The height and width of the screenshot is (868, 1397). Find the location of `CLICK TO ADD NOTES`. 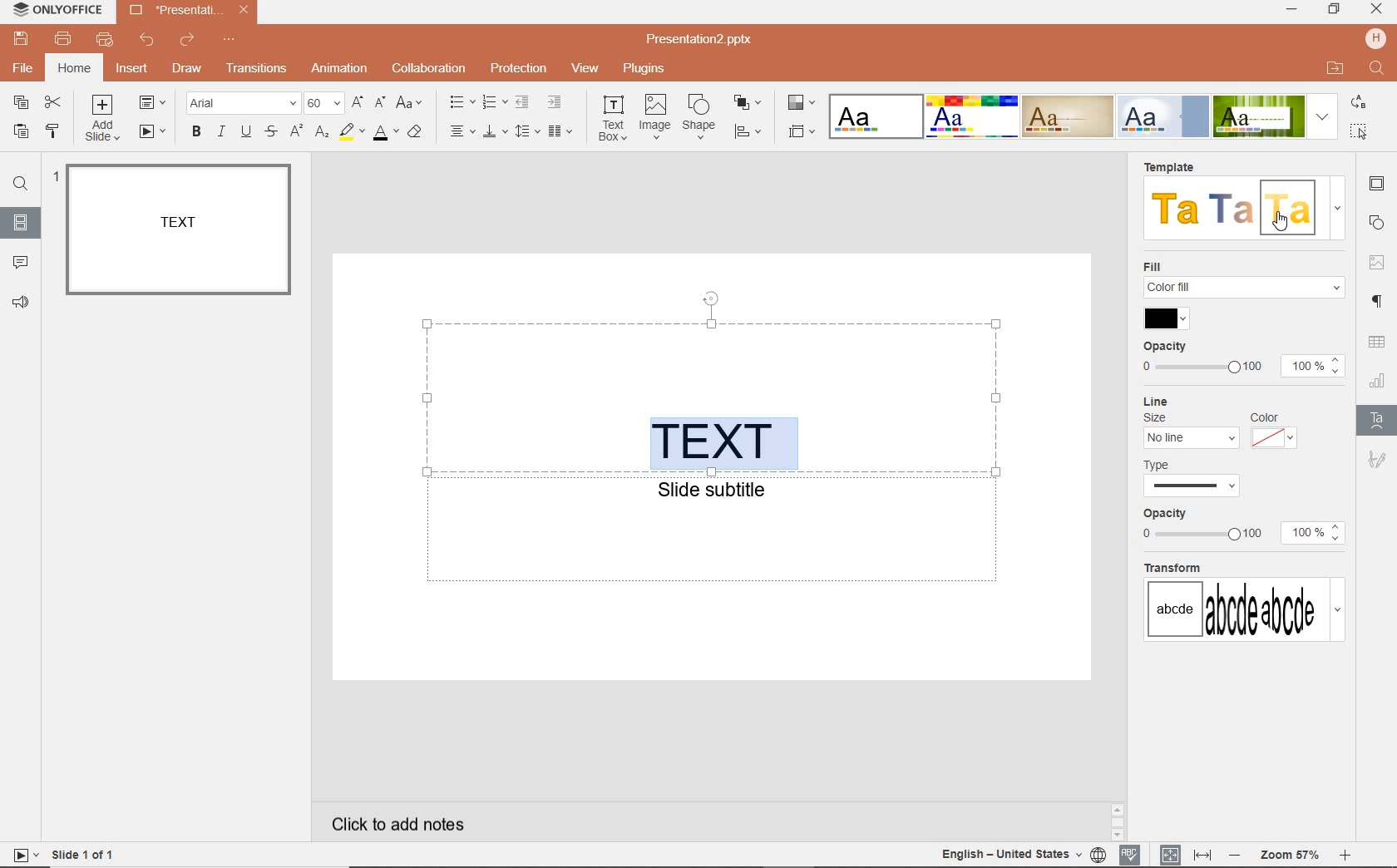

CLICK TO ADD NOTES is located at coordinates (412, 824).